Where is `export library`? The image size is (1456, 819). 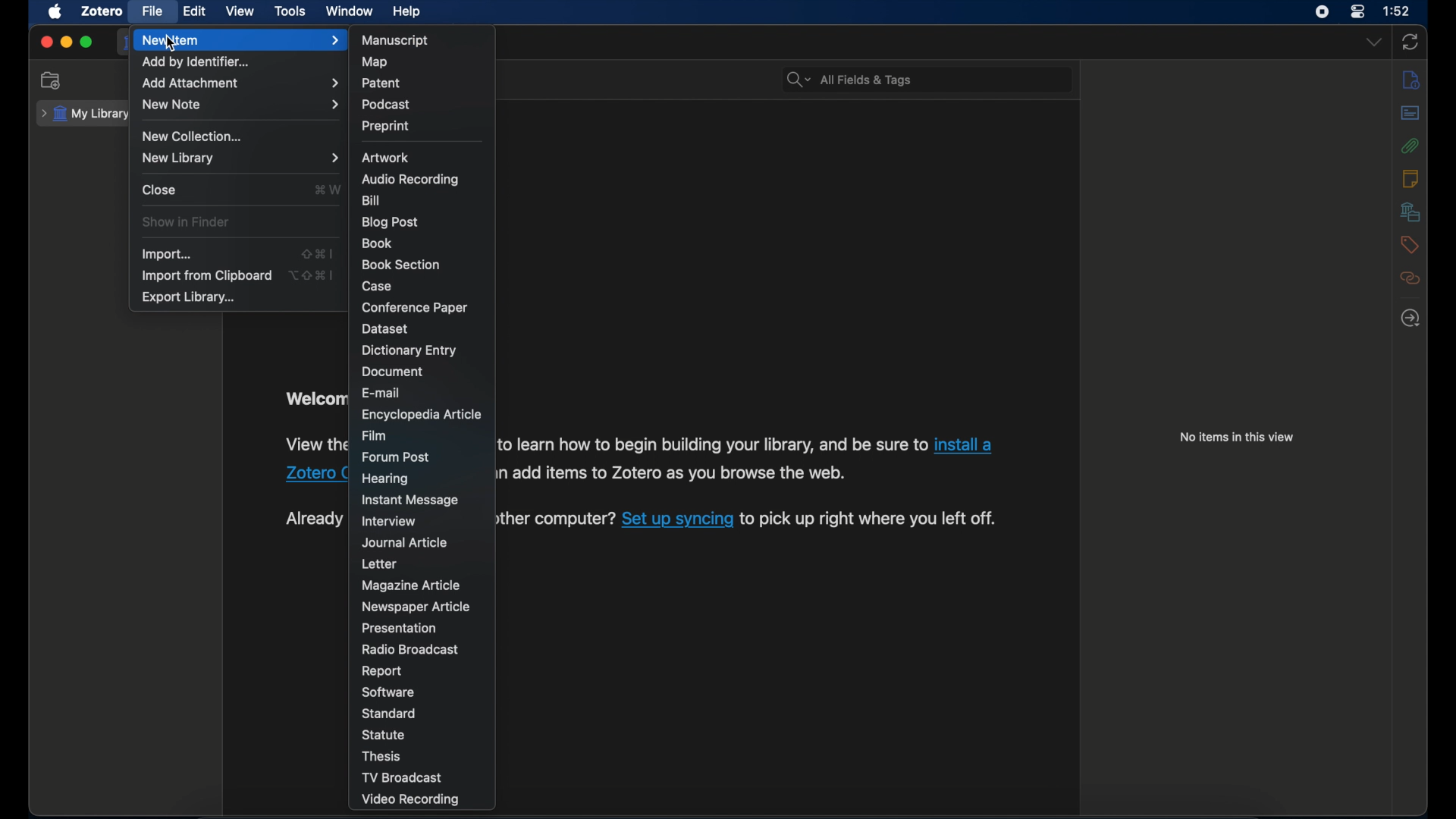
export library is located at coordinates (188, 297).